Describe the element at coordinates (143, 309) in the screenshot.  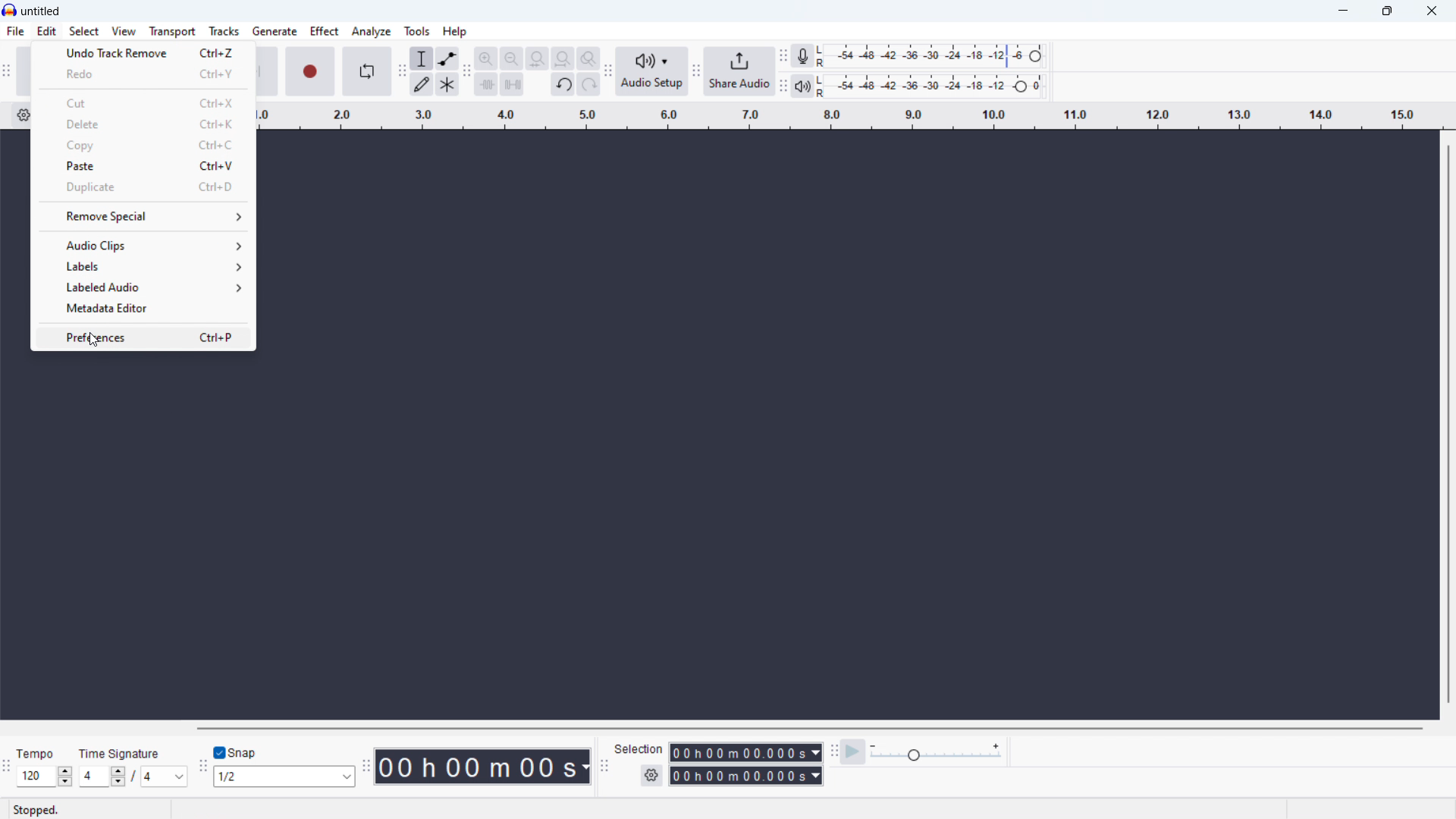
I see `metadata editor` at that location.